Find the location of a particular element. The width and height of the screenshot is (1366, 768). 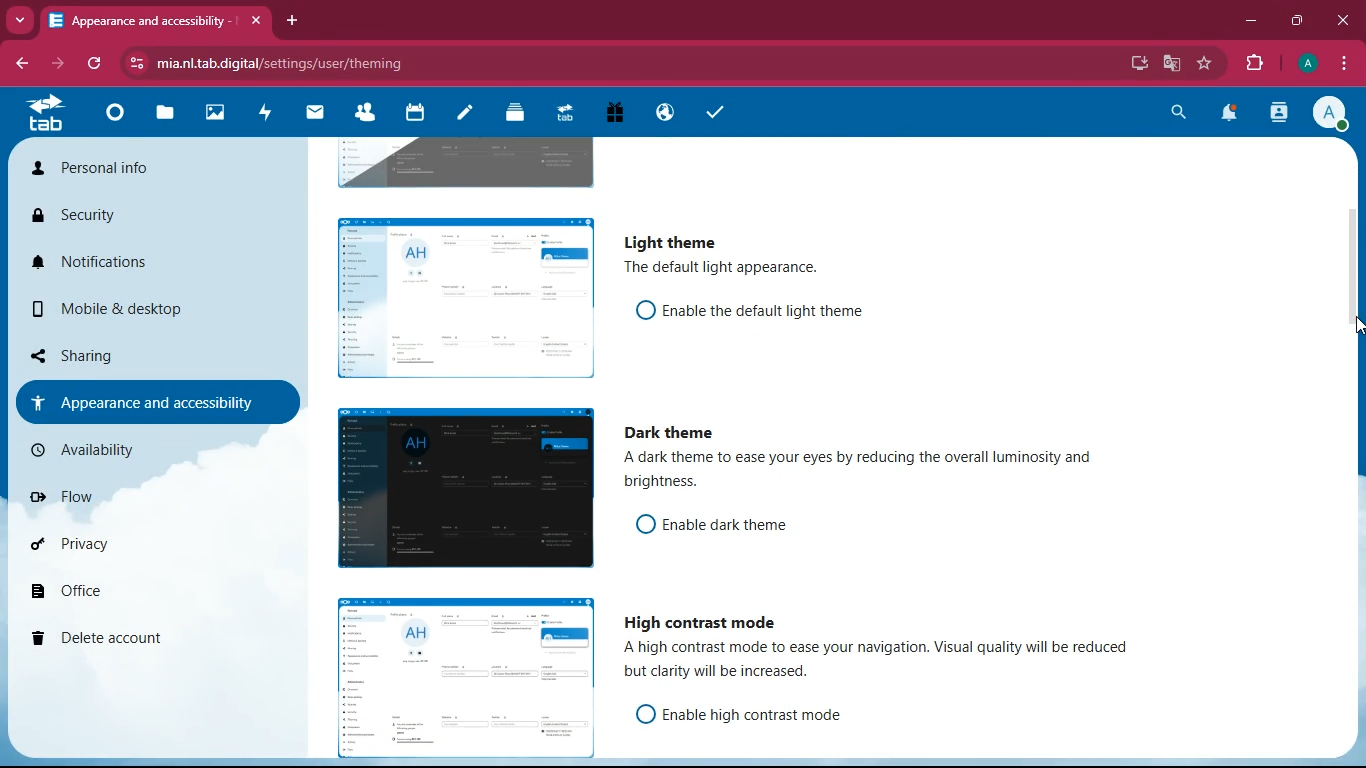

image is located at coordinates (460, 295).